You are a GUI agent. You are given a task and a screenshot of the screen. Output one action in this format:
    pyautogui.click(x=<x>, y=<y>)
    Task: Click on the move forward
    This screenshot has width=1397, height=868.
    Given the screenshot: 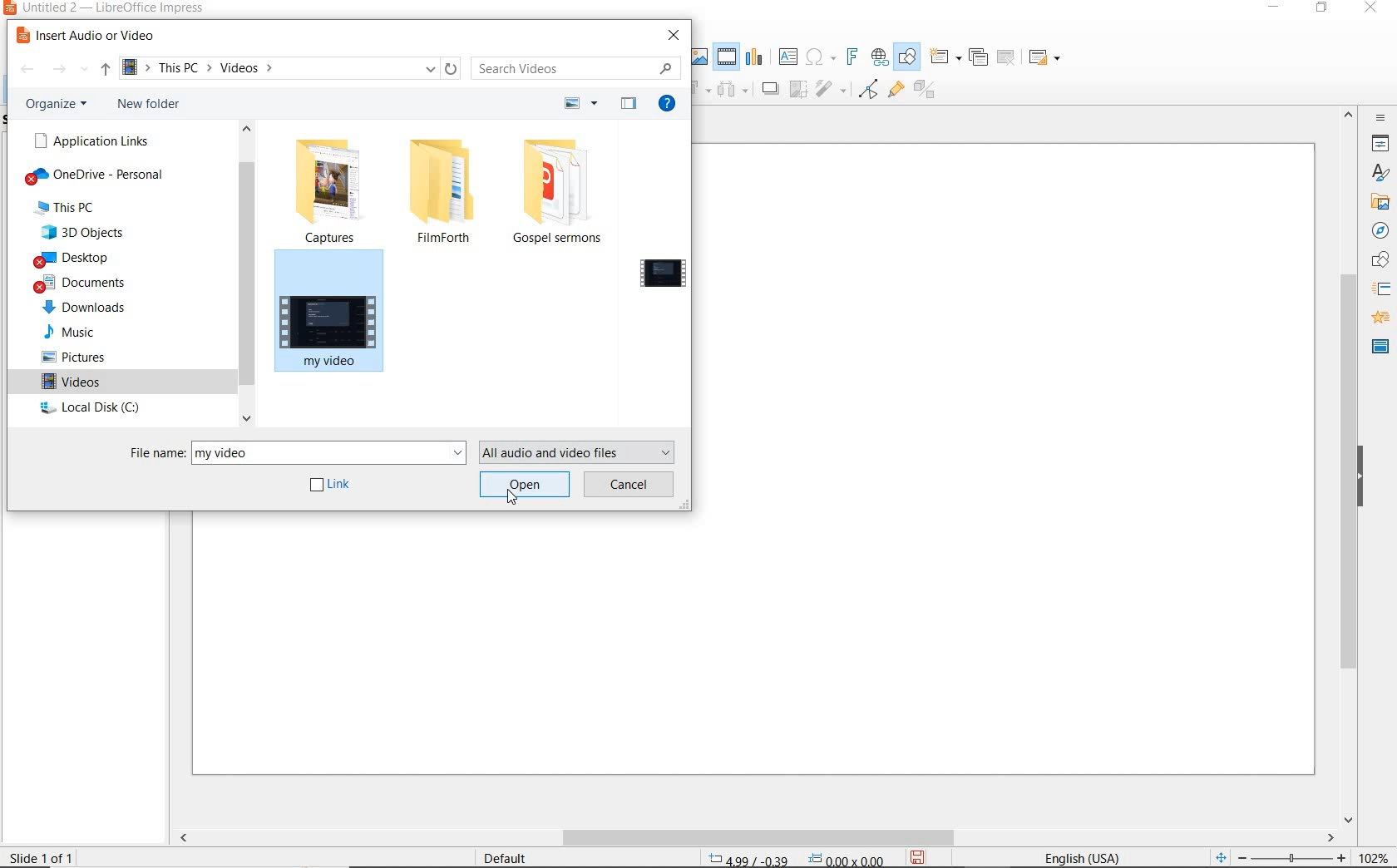 What is the action you would take?
    pyautogui.click(x=772, y=90)
    